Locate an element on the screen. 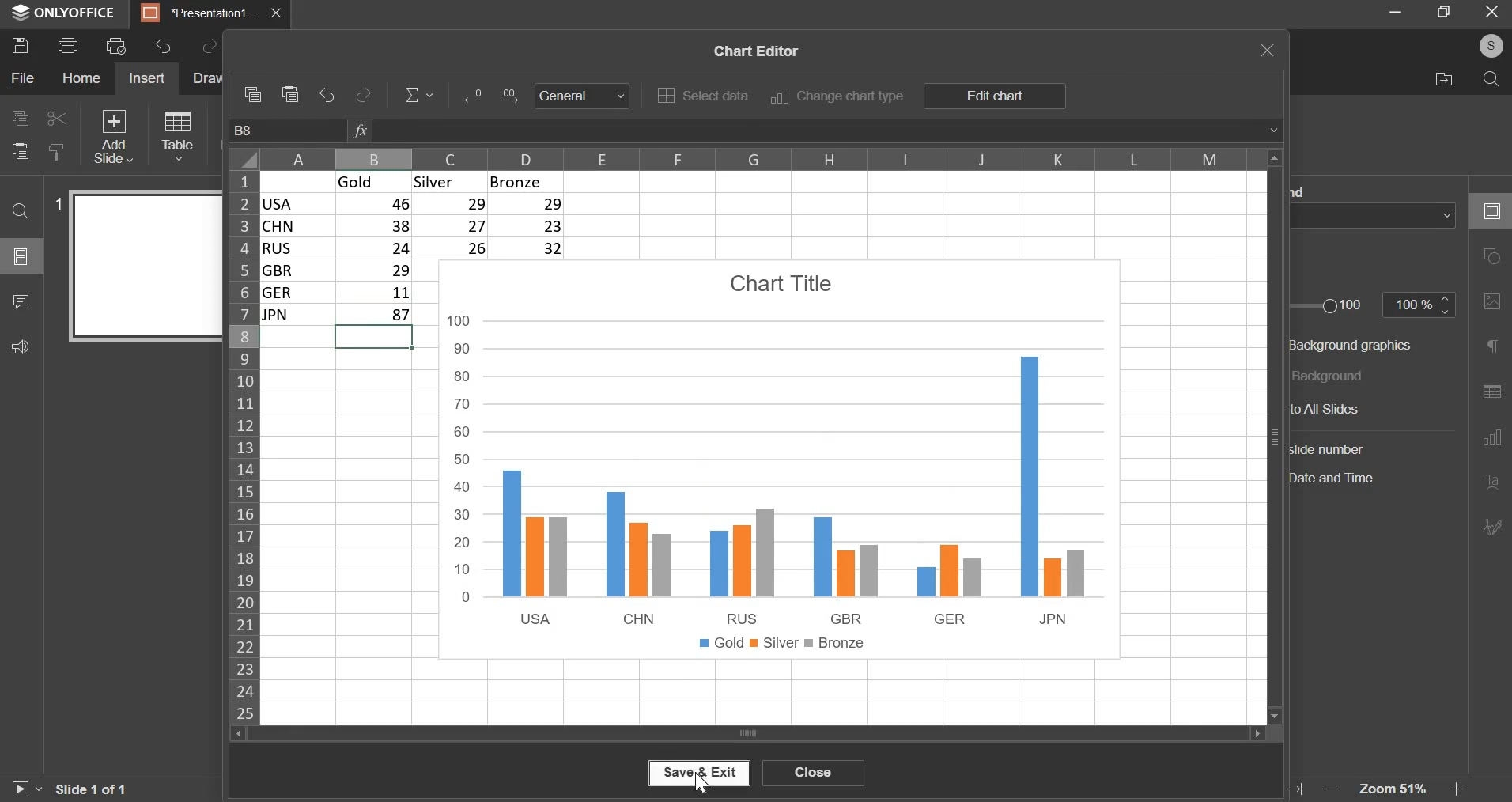 This screenshot has width=1512, height=802. cut is located at coordinates (54, 119).